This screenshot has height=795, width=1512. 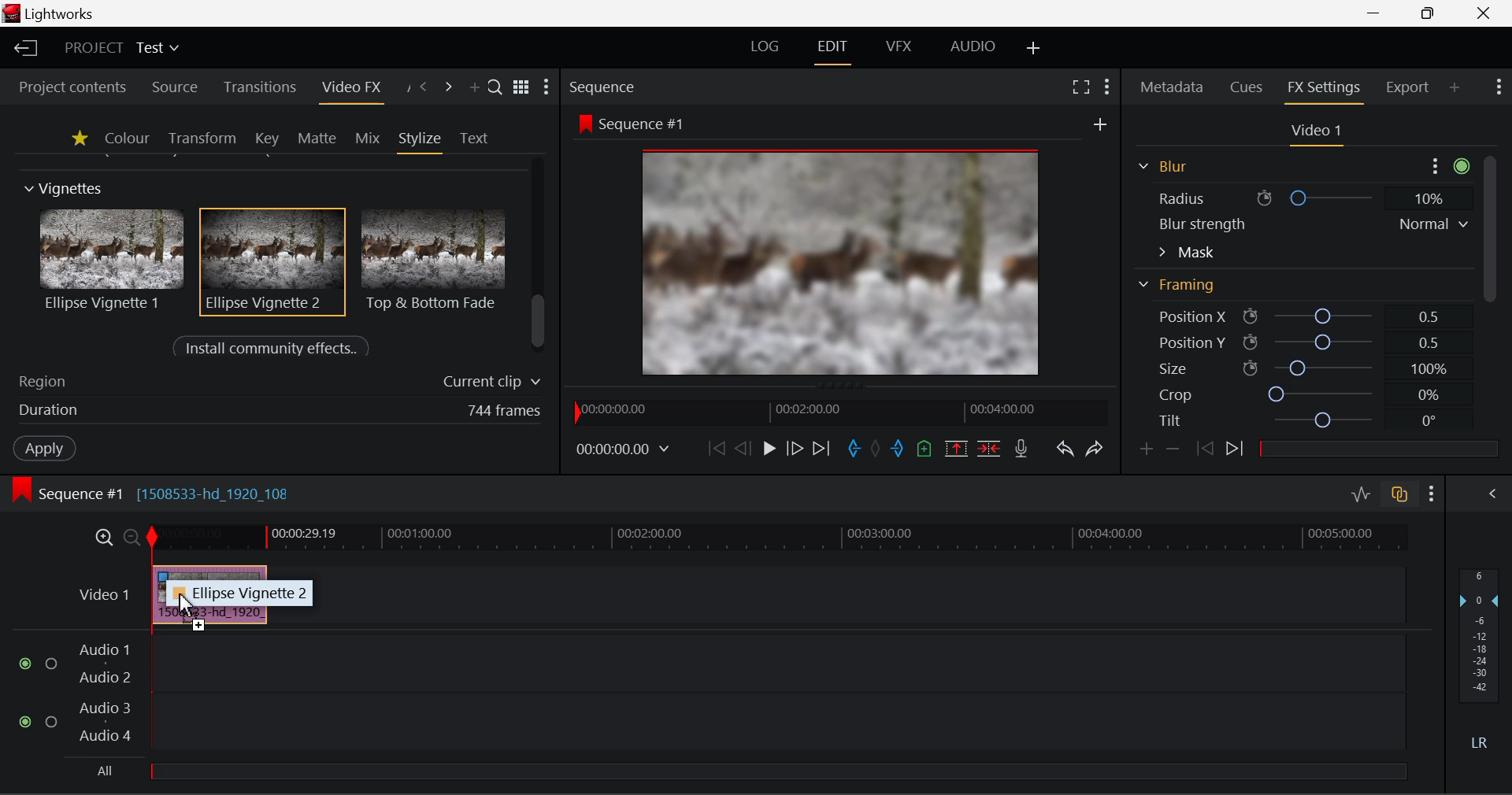 I want to click on Show Settings, so click(x=1432, y=491).